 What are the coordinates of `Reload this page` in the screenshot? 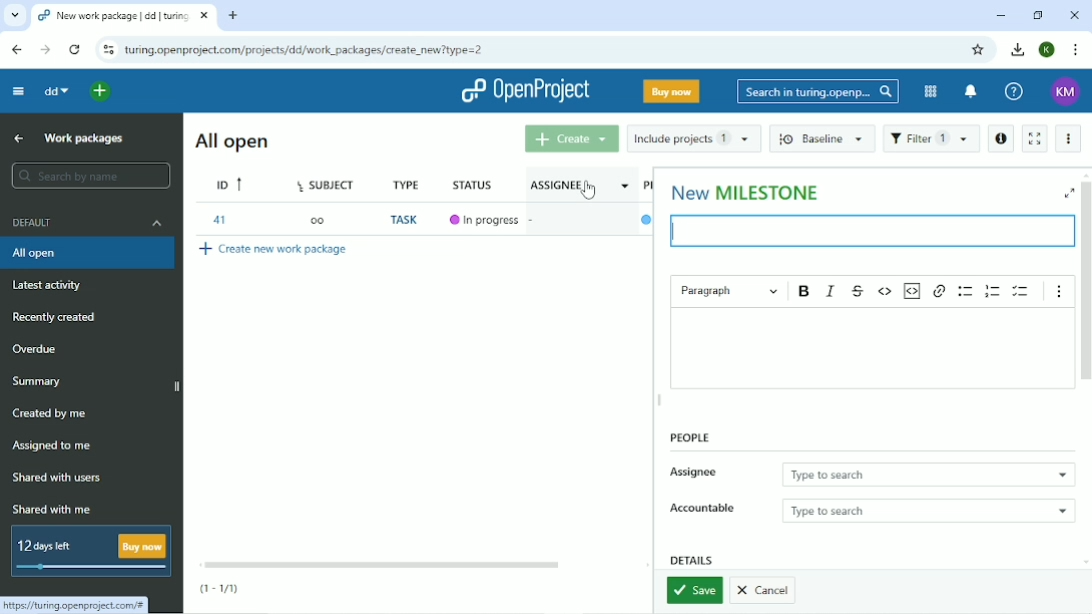 It's located at (76, 49).